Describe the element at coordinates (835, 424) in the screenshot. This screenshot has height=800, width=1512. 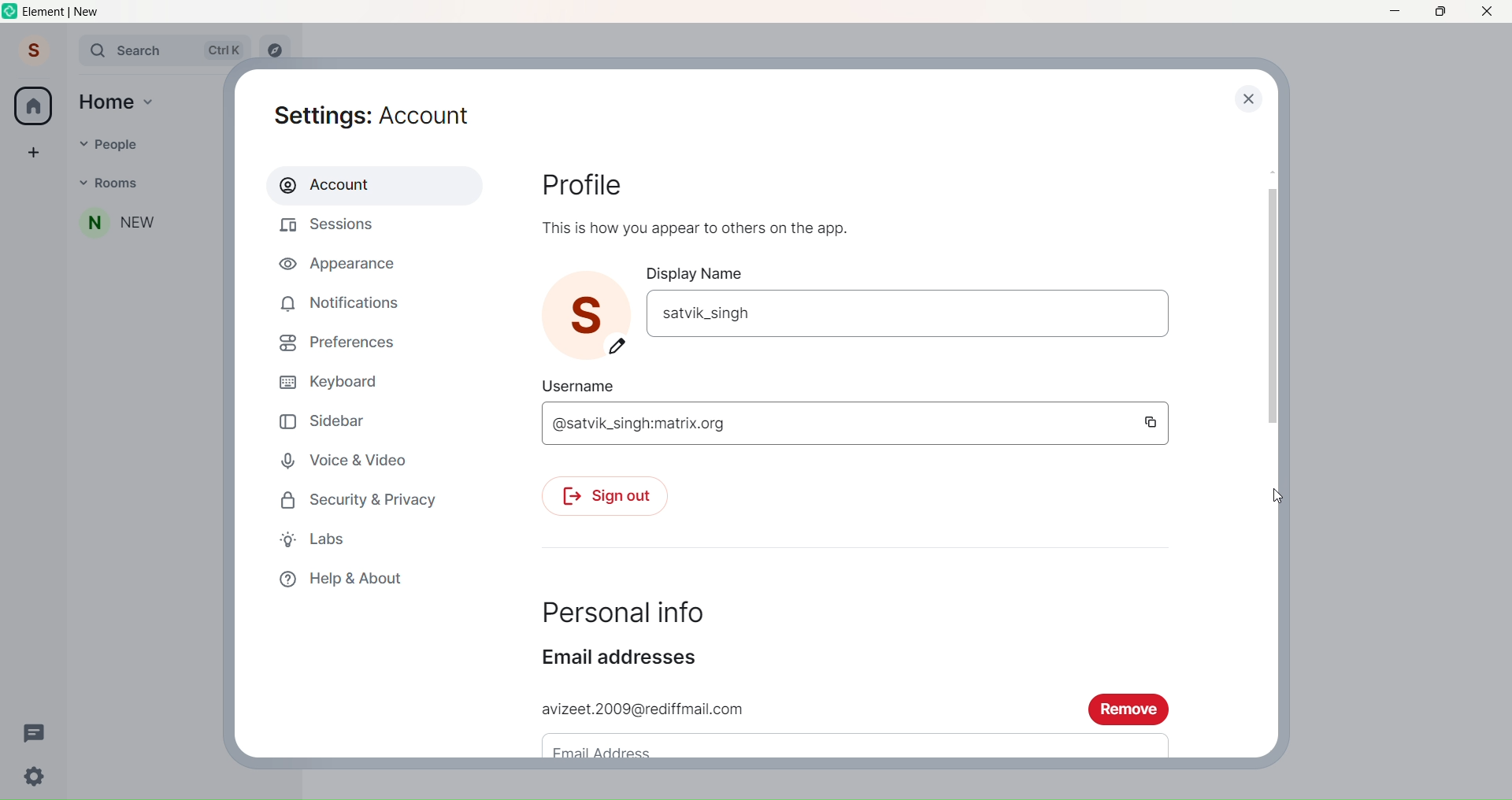
I see `Write Username` at that location.